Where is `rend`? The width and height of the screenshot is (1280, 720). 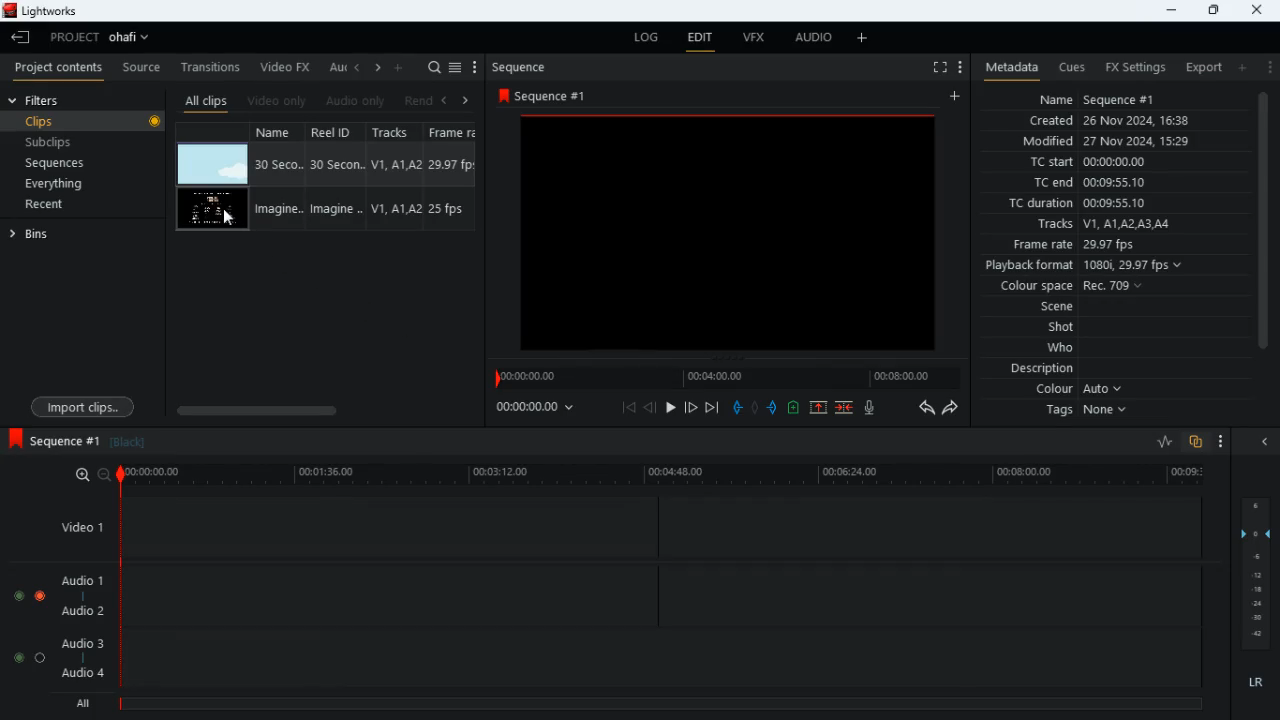 rend is located at coordinates (418, 102).